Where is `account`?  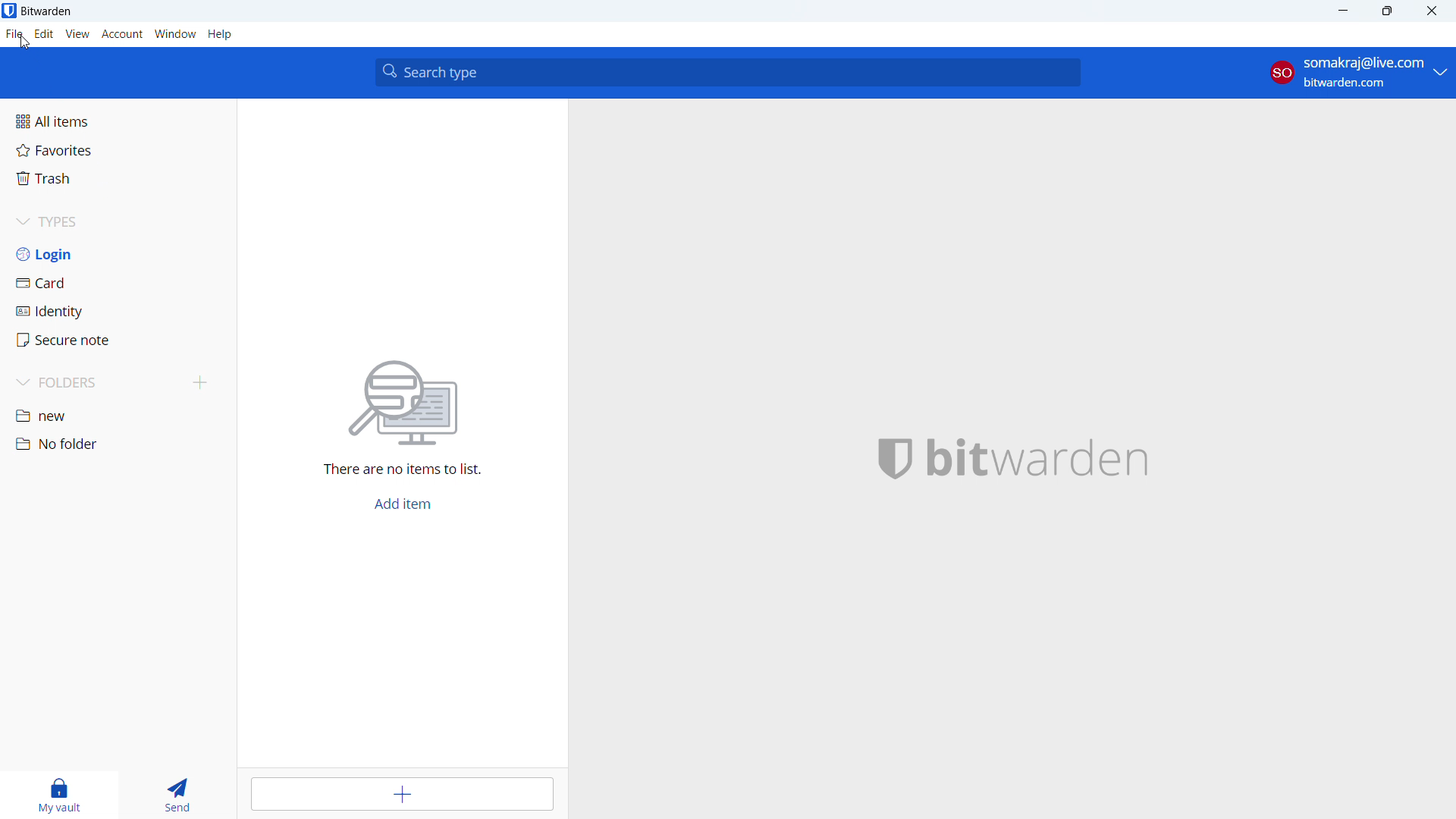
account is located at coordinates (1359, 72).